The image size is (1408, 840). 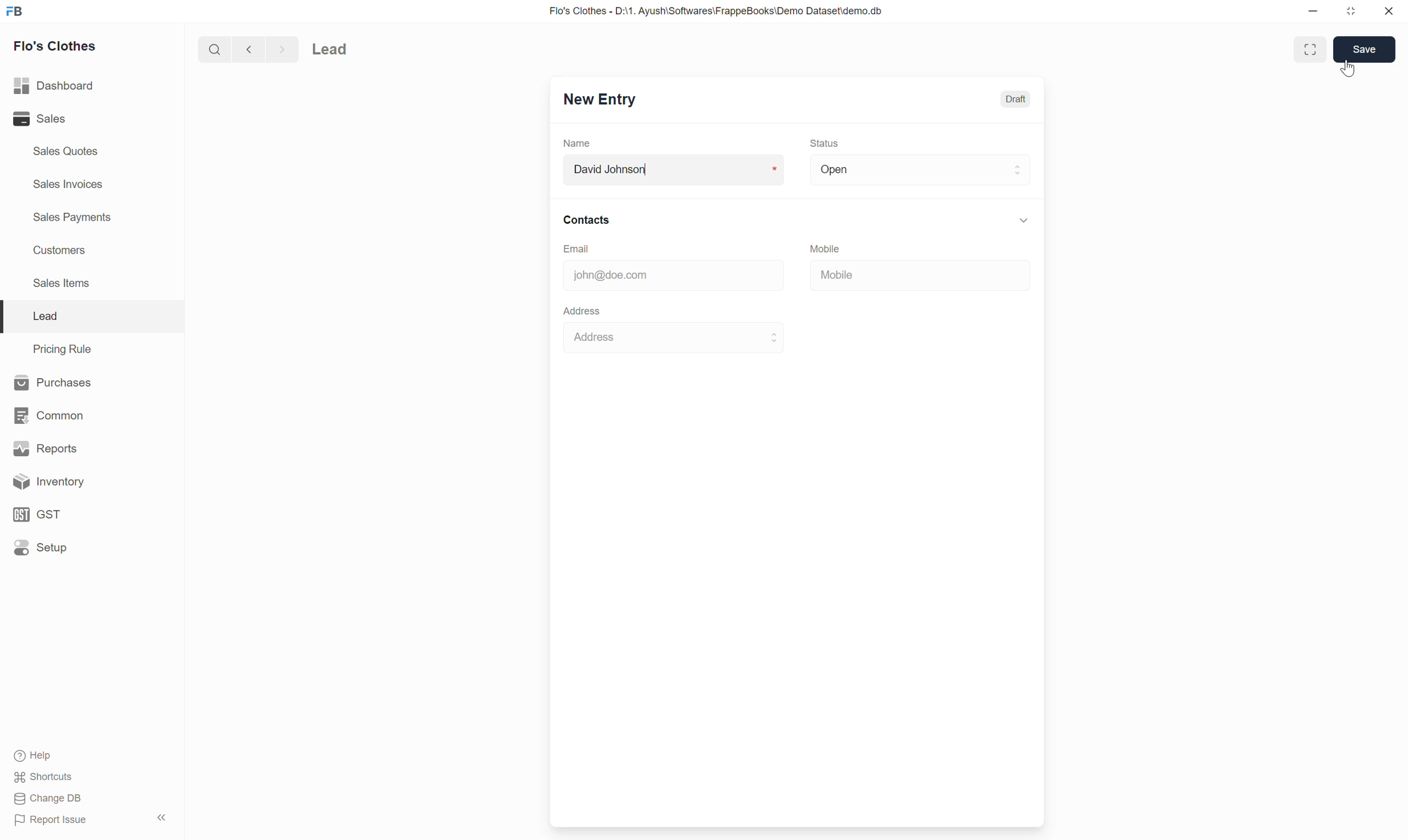 What do you see at coordinates (45, 316) in the screenshot?
I see `Lead` at bounding box center [45, 316].